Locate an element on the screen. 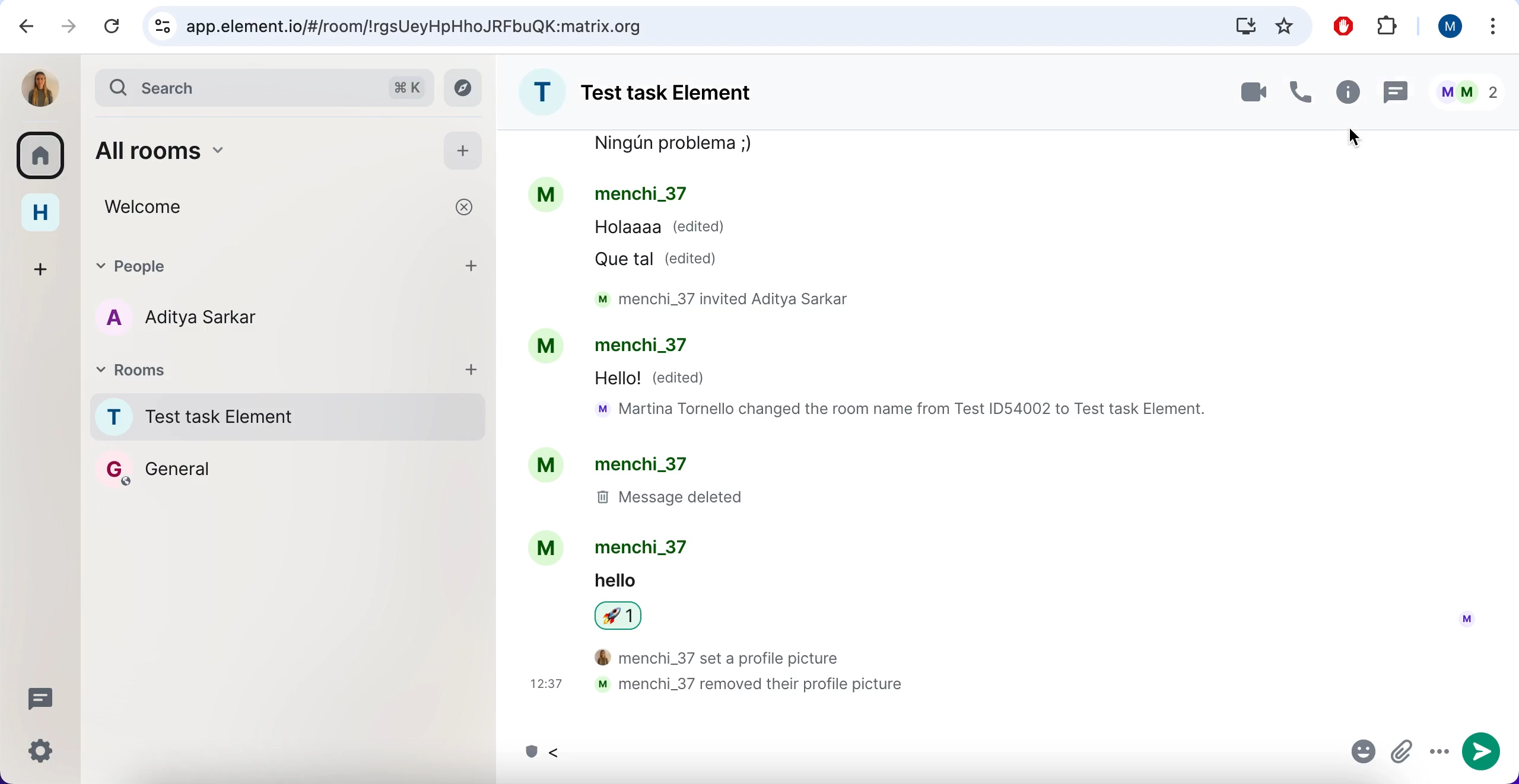 The image size is (1519, 784).  is located at coordinates (465, 93).